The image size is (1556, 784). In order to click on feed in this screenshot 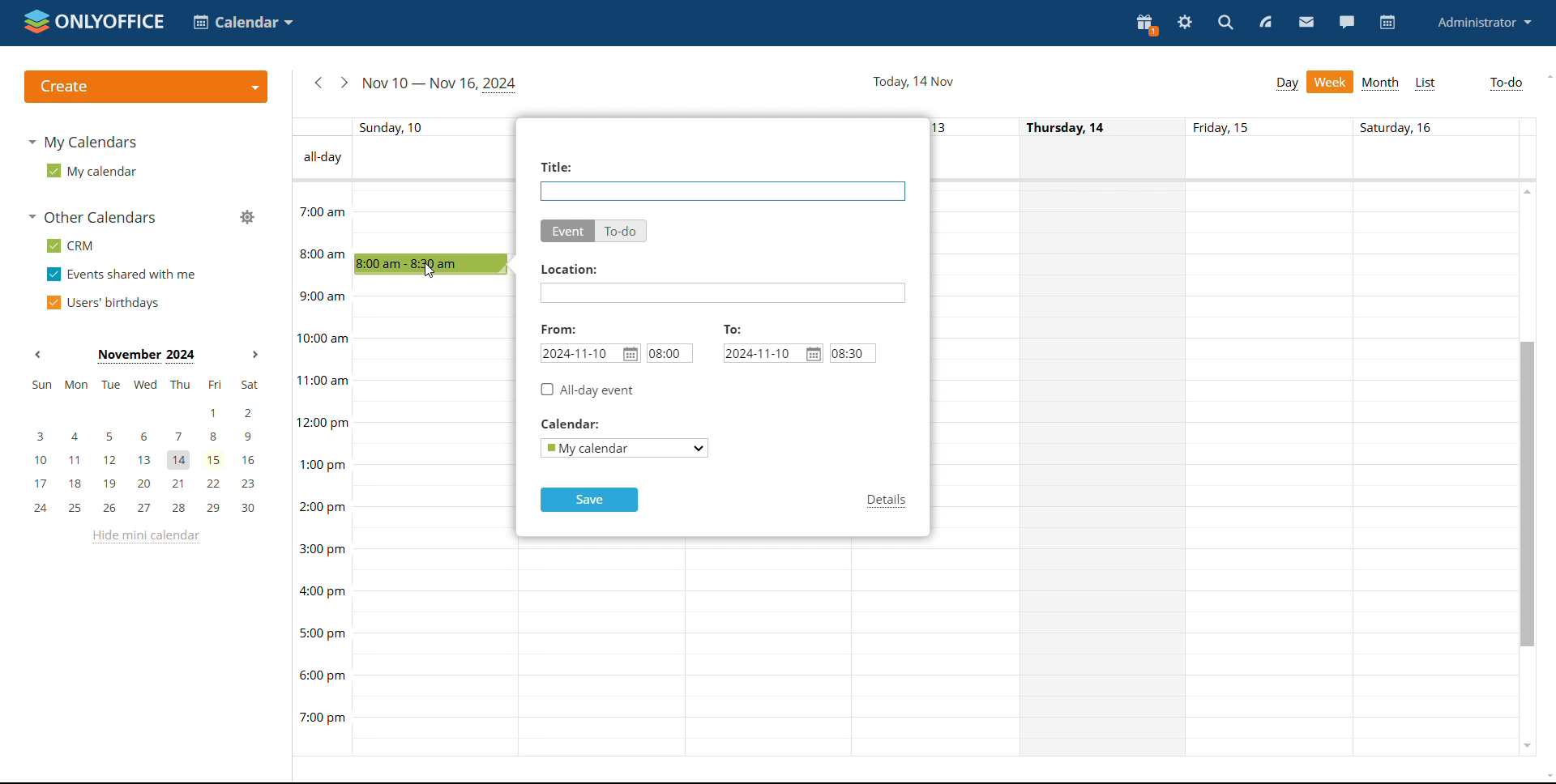, I will do `click(1266, 22)`.